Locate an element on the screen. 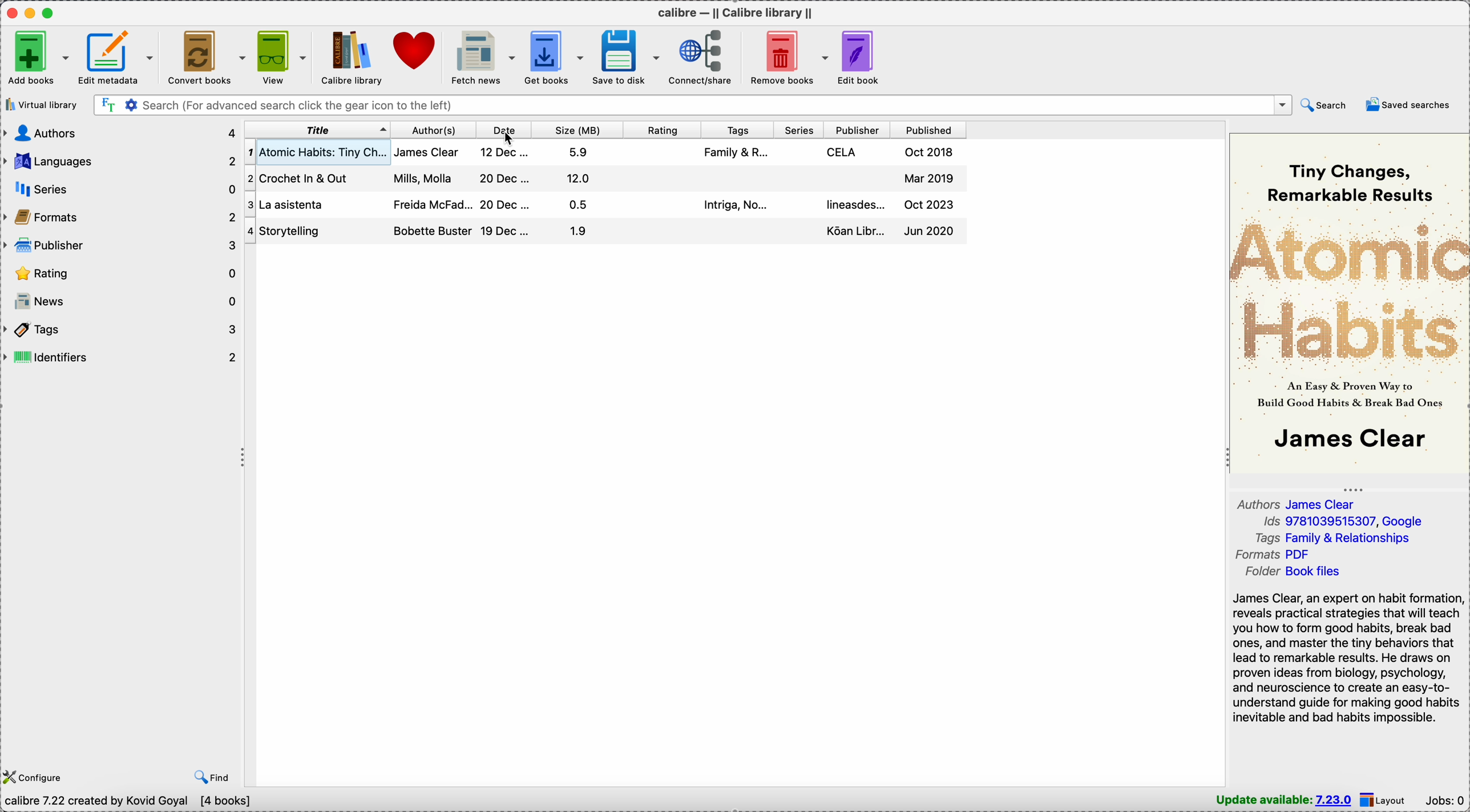 This screenshot has width=1470, height=812. published is located at coordinates (928, 131).